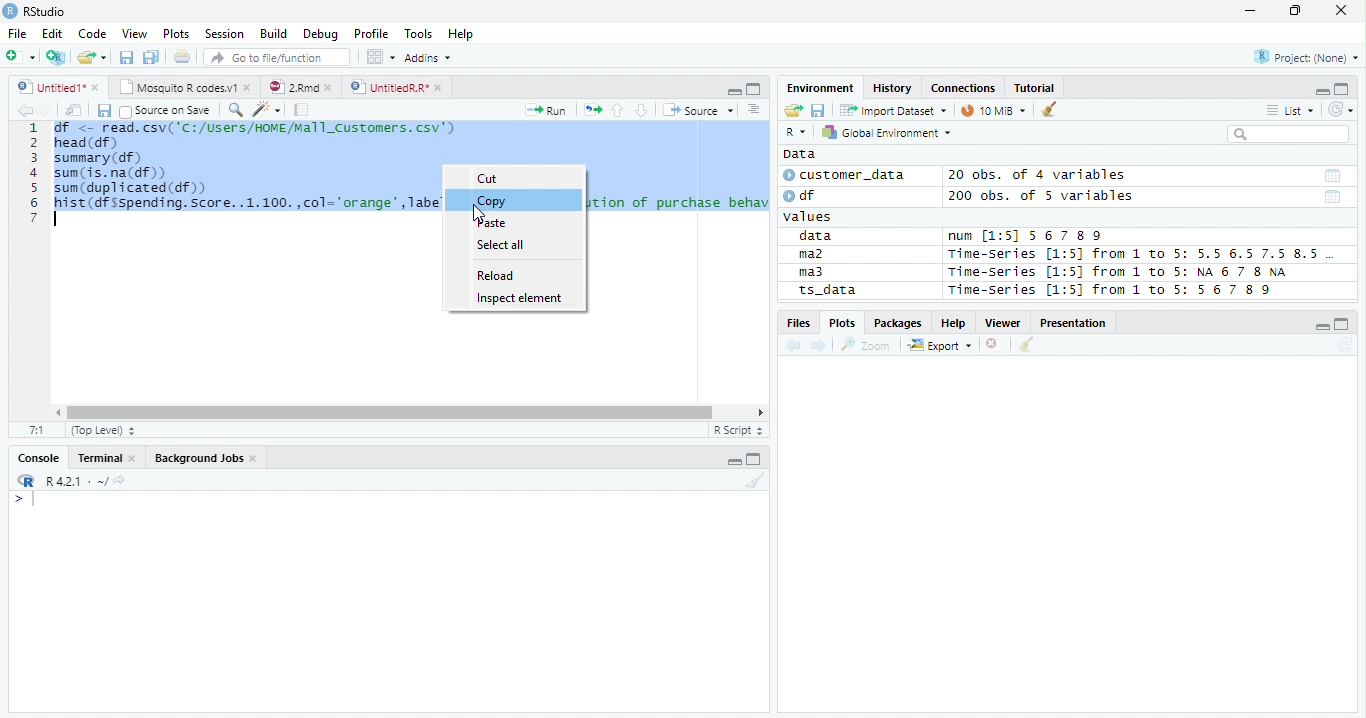  What do you see at coordinates (1038, 177) in the screenshot?
I see `20 obs. of 4 variables` at bounding box center [1038, 177].